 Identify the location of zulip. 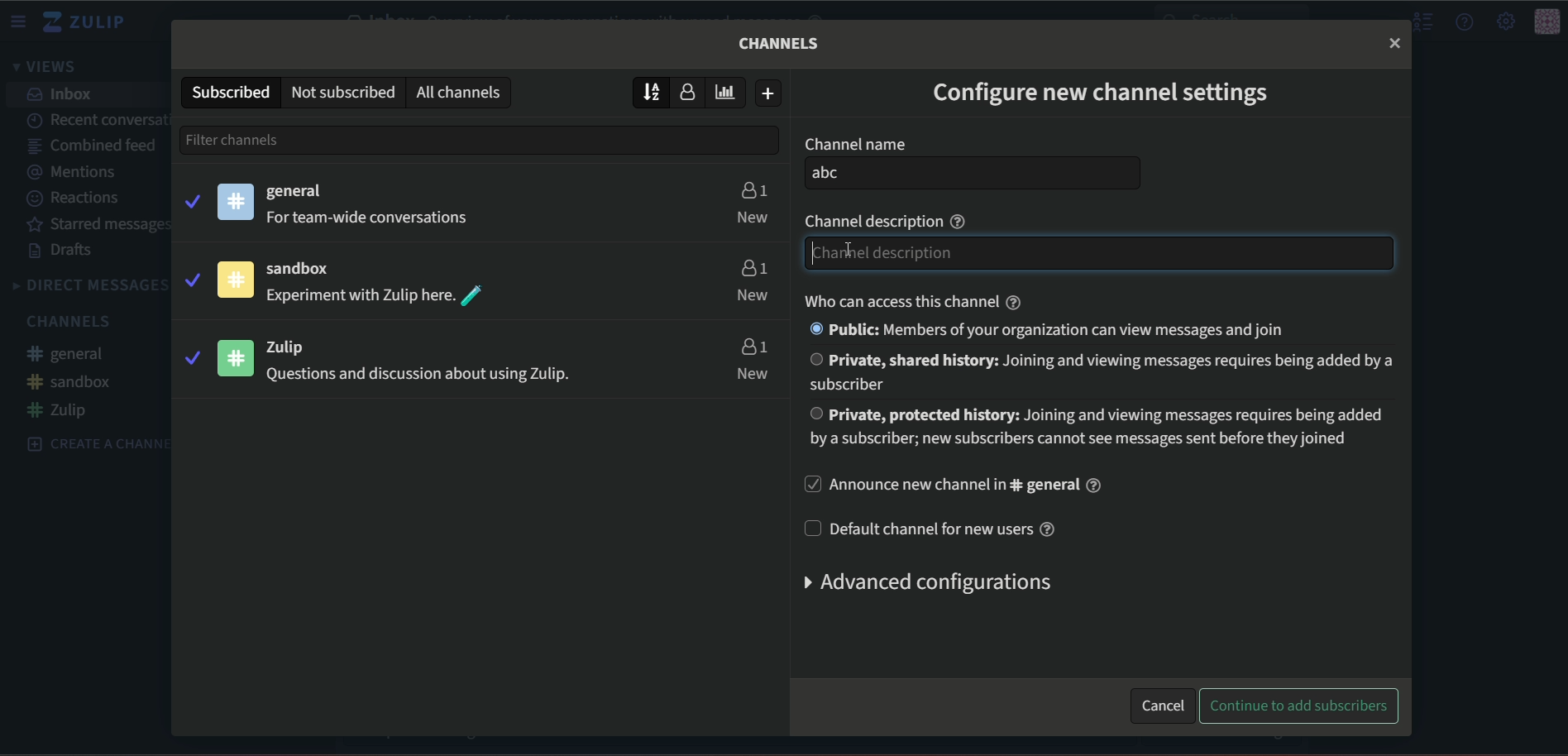
(296, 347).